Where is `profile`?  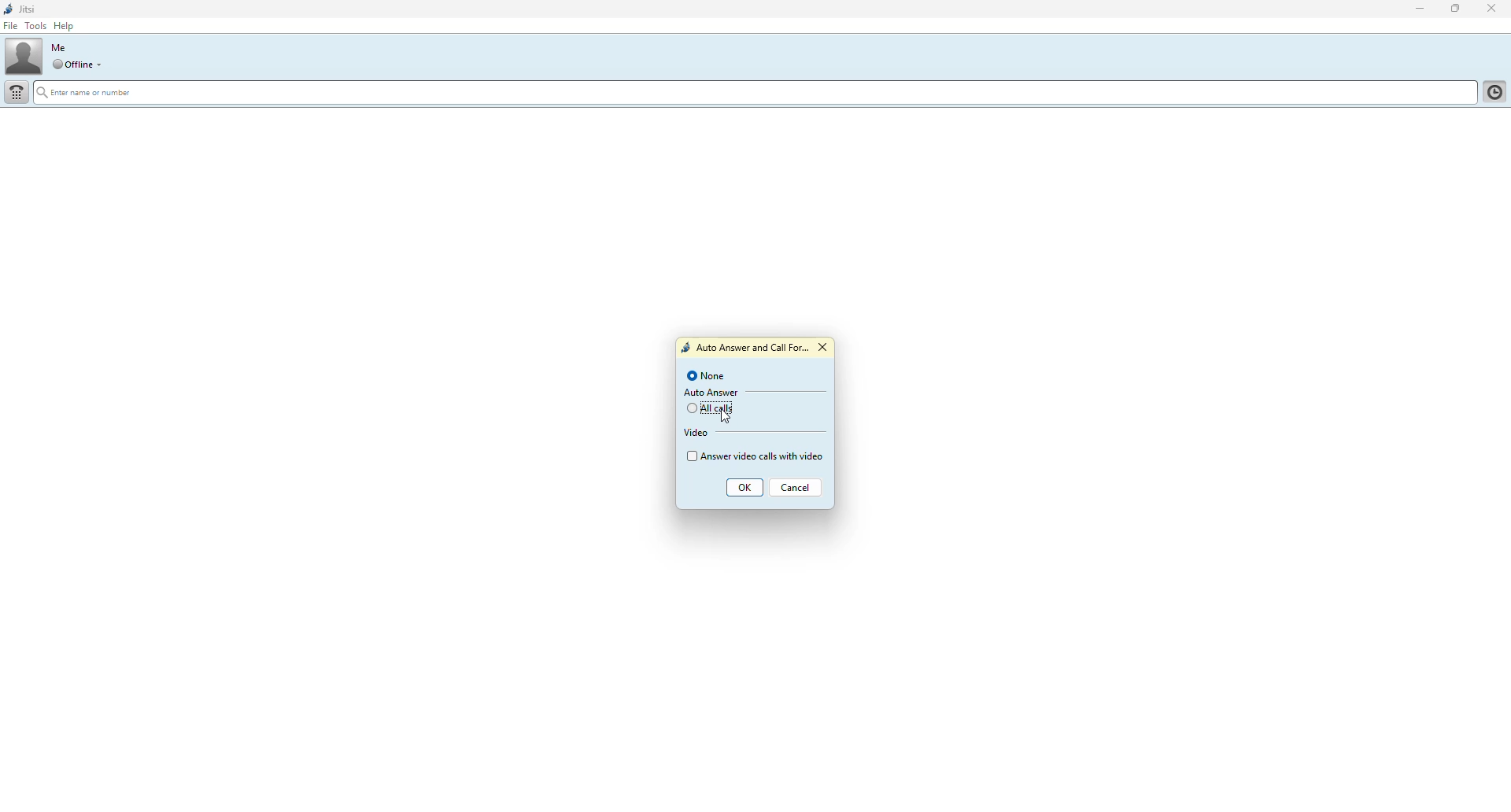 profile is located at coordinates (24, 55).